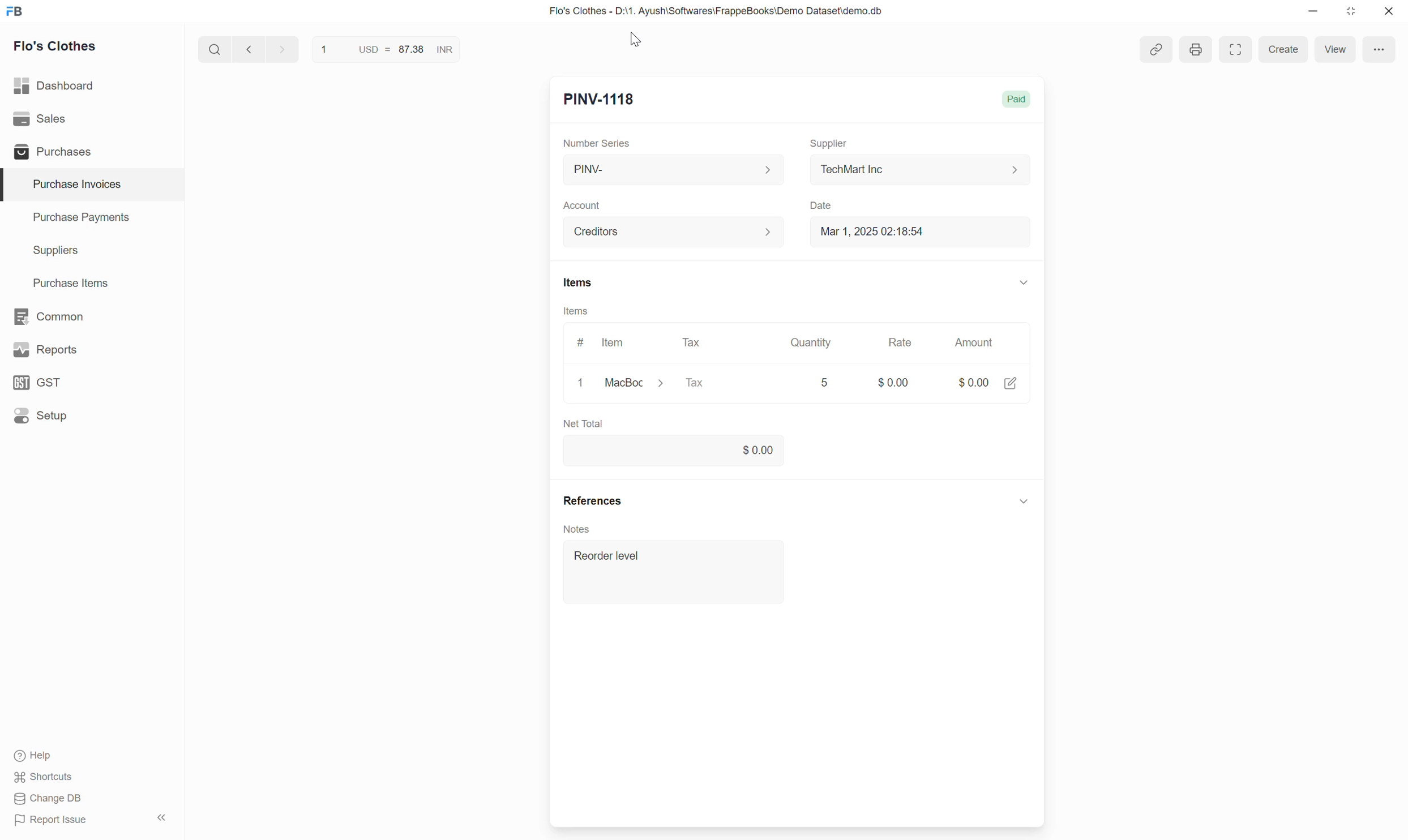 The height and width of the screenshot is (840, 1408). I want to click on view linked entries, so click(1157, 51).